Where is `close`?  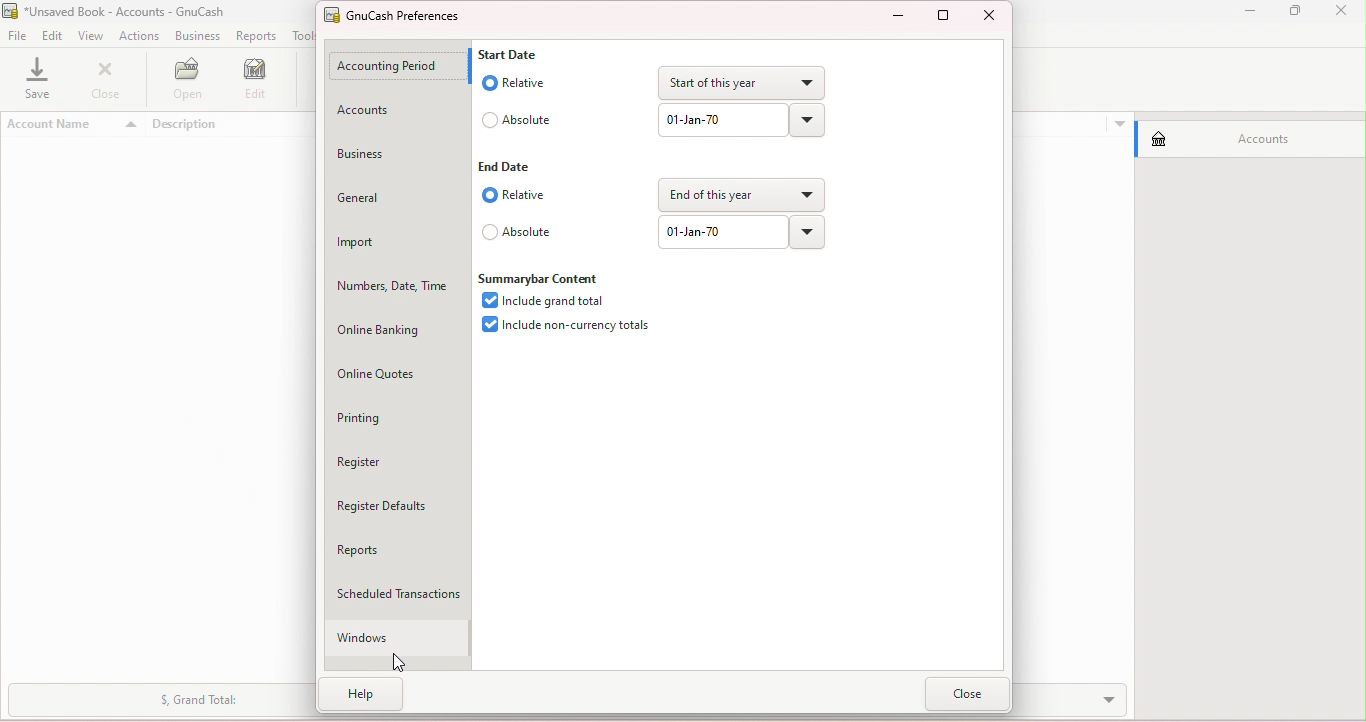 close is located at coordinates (1346, 13).